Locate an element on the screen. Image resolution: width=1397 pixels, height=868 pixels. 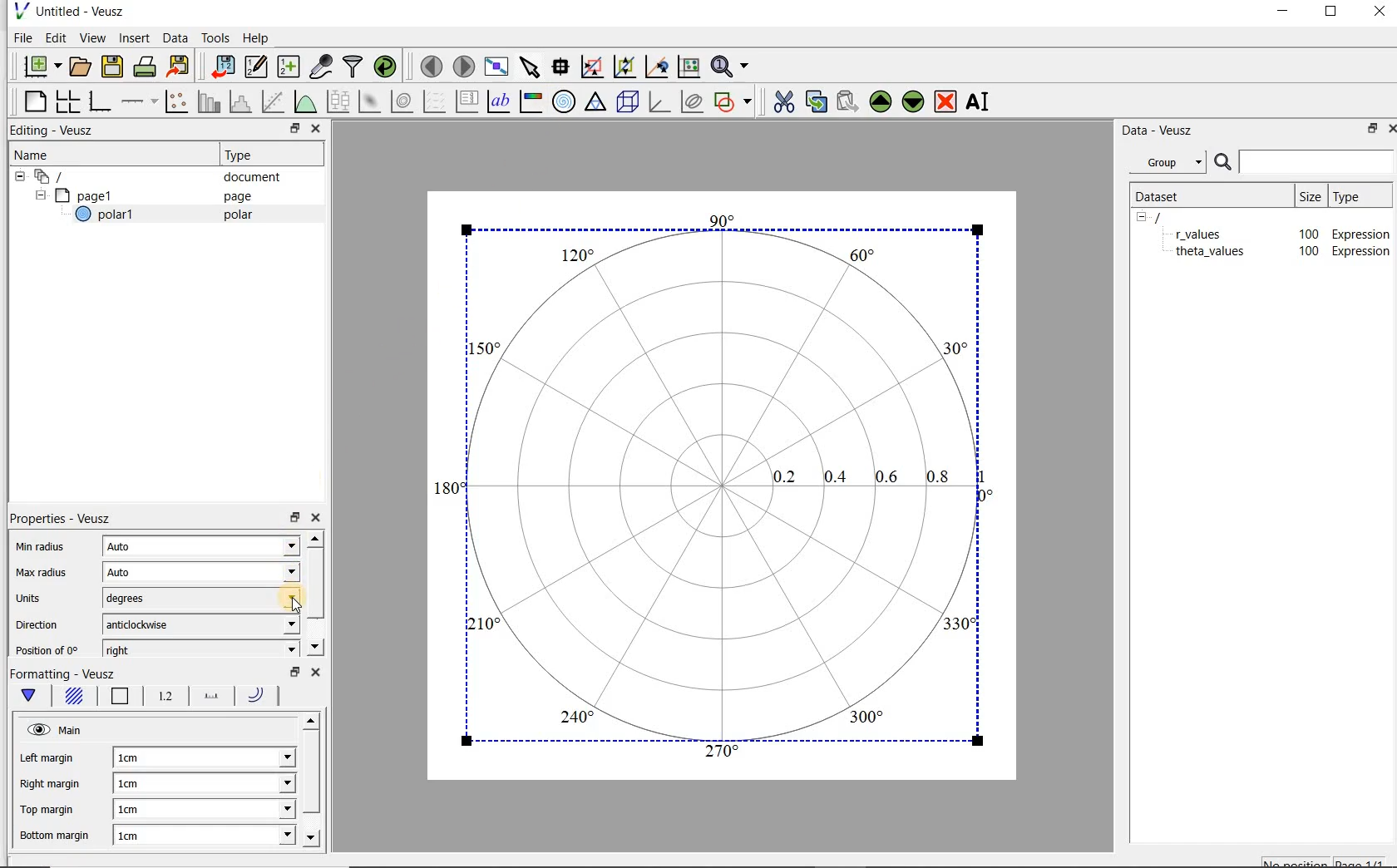
move to the previous page is located at coordinates (432, 64).